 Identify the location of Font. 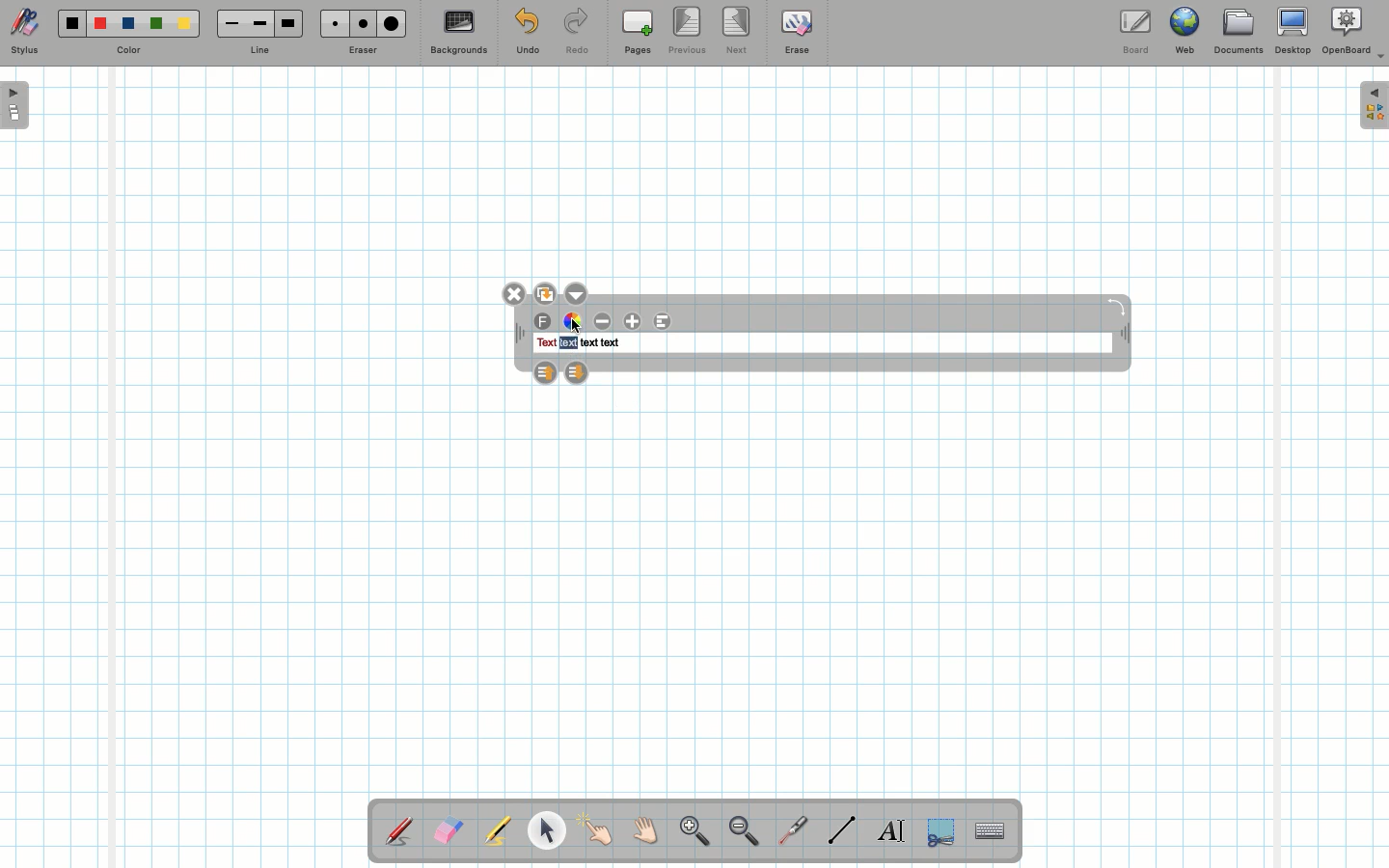
(544, 322).